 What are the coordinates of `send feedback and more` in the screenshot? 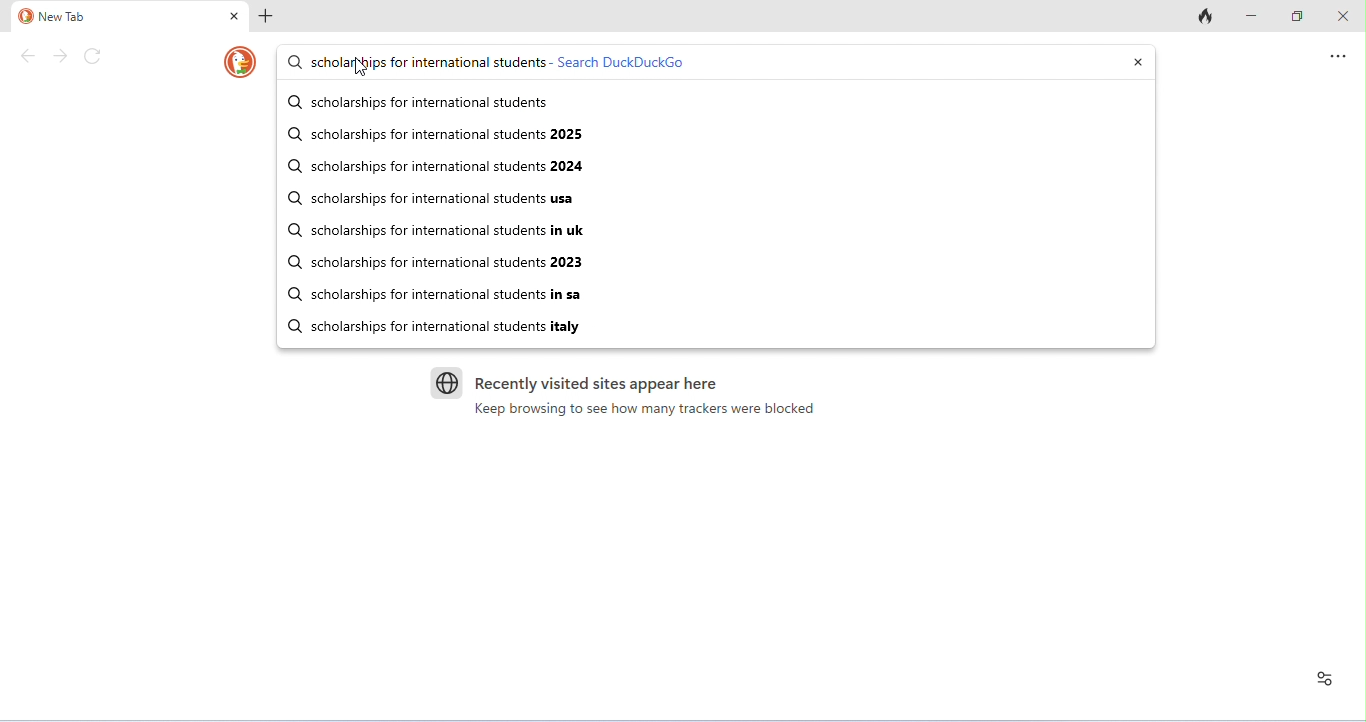 It's located at (1336, 56).